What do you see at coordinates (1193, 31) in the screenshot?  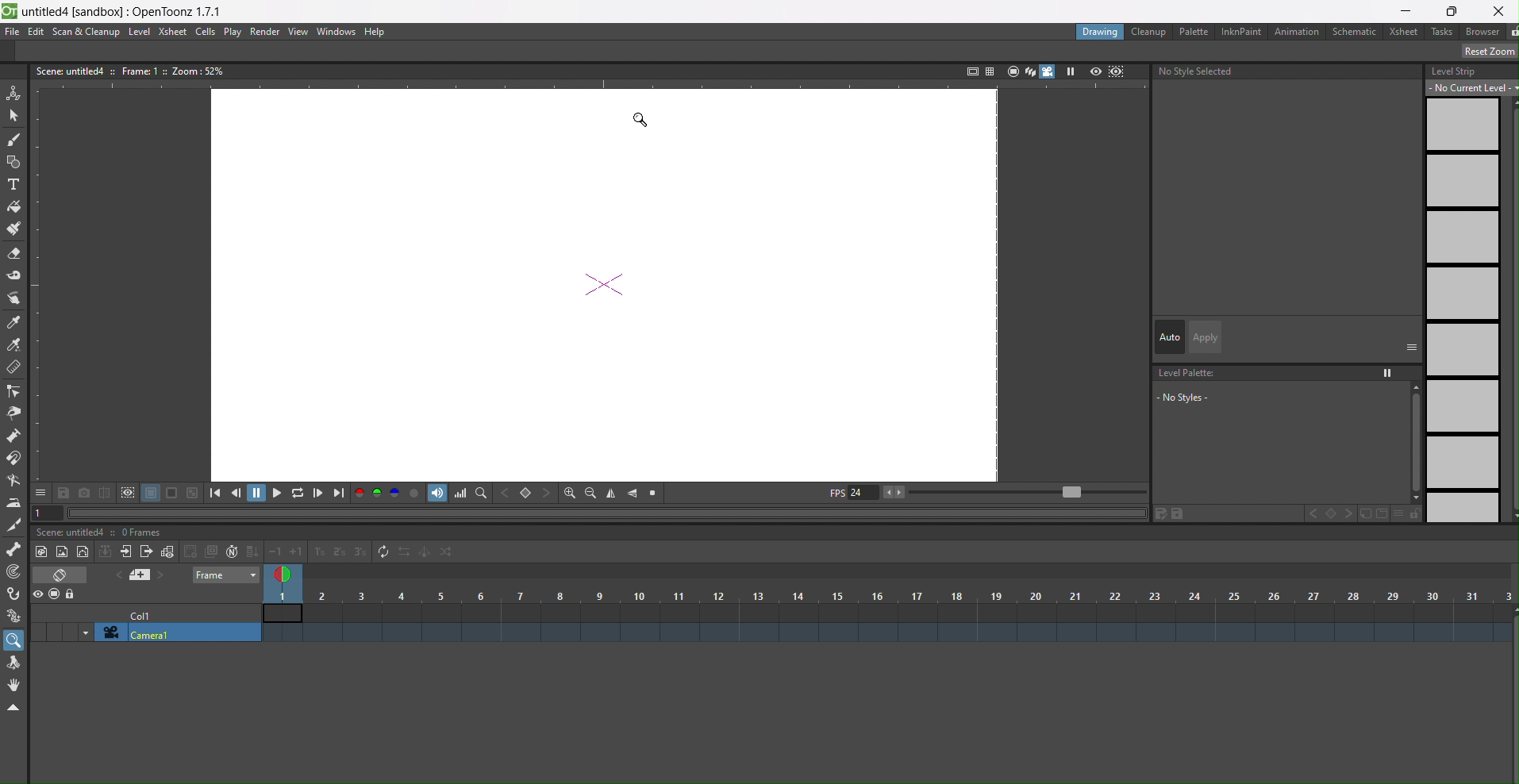 I see `palette` at bounding box center [1193, 31].